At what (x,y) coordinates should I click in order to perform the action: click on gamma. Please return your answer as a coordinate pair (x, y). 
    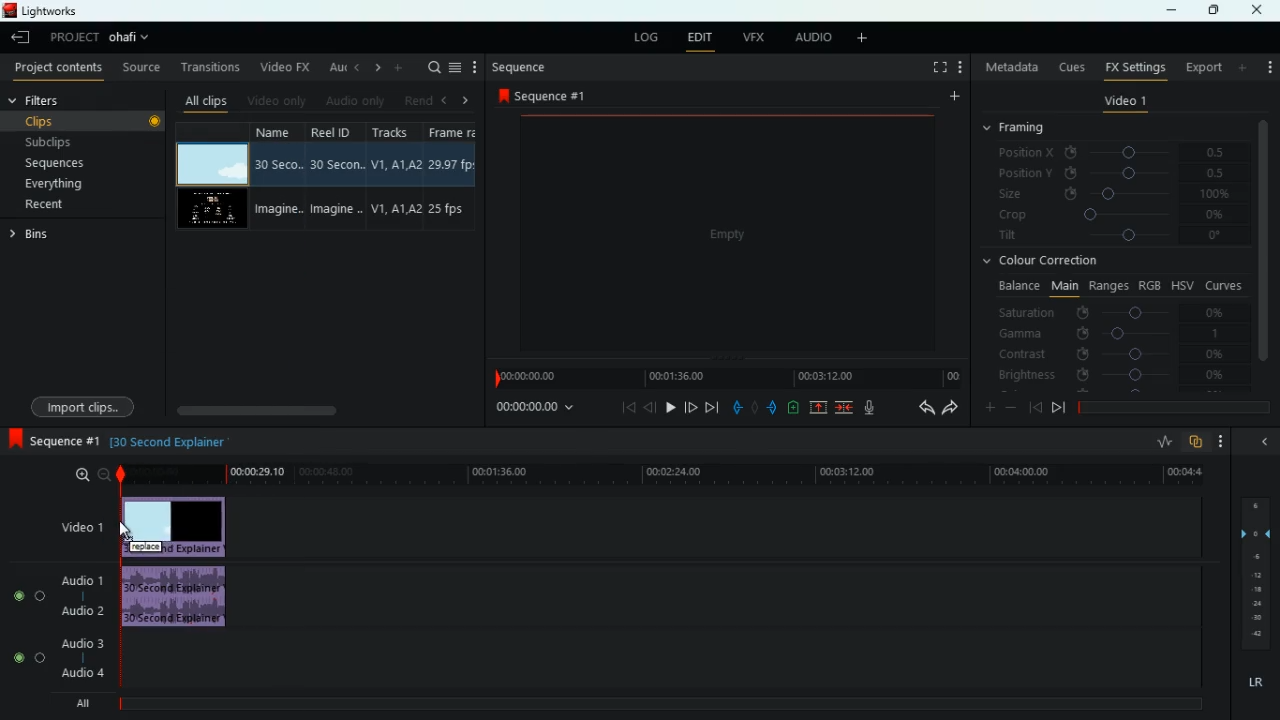
    Looking at the image, I should click on (1118, 332).